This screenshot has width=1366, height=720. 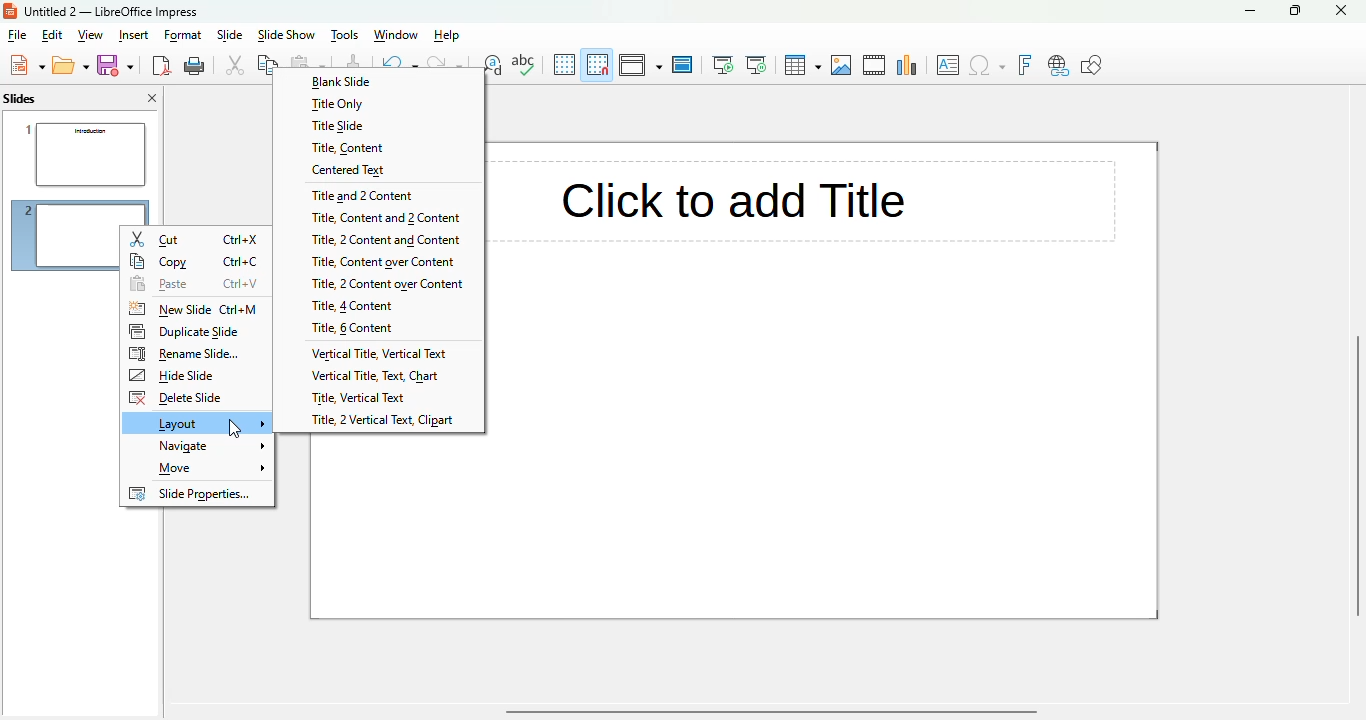 What do you see at coordinates (908, 65) in the screenshot?
I see `insert chart` at bounding box center [908, 65].